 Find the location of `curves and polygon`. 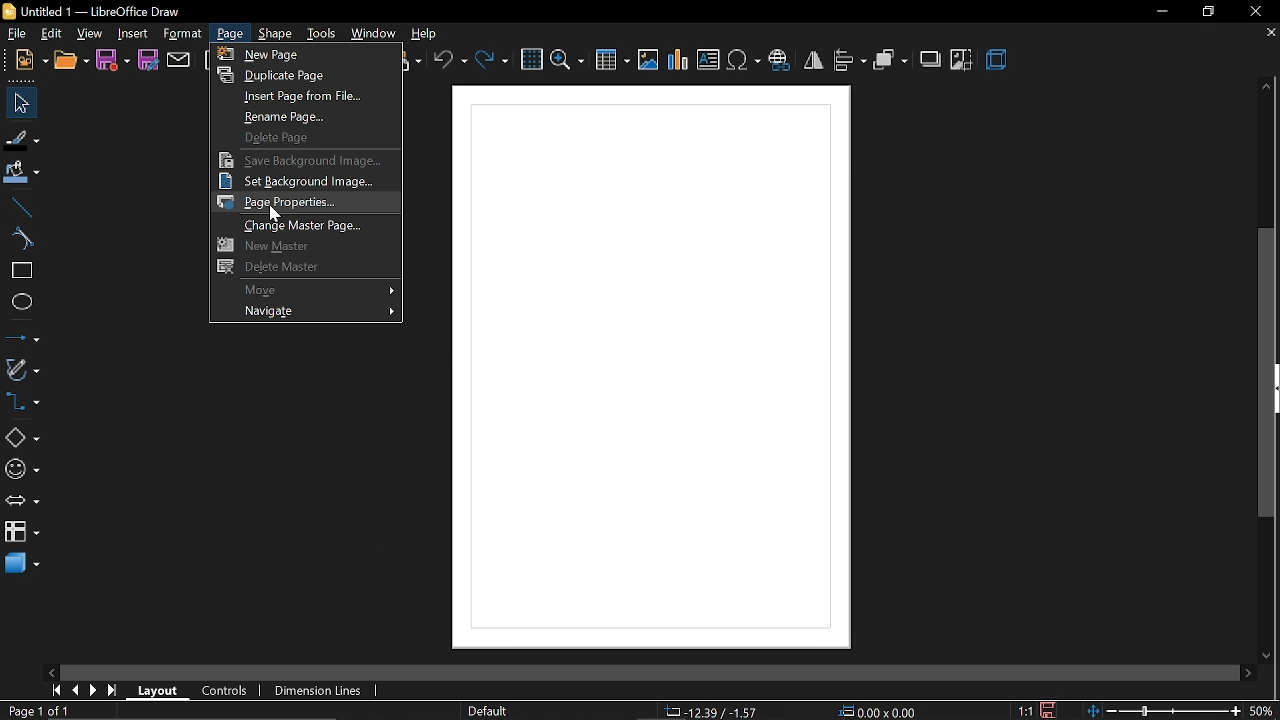

curves and polygon is located at coordinates (23, 369).